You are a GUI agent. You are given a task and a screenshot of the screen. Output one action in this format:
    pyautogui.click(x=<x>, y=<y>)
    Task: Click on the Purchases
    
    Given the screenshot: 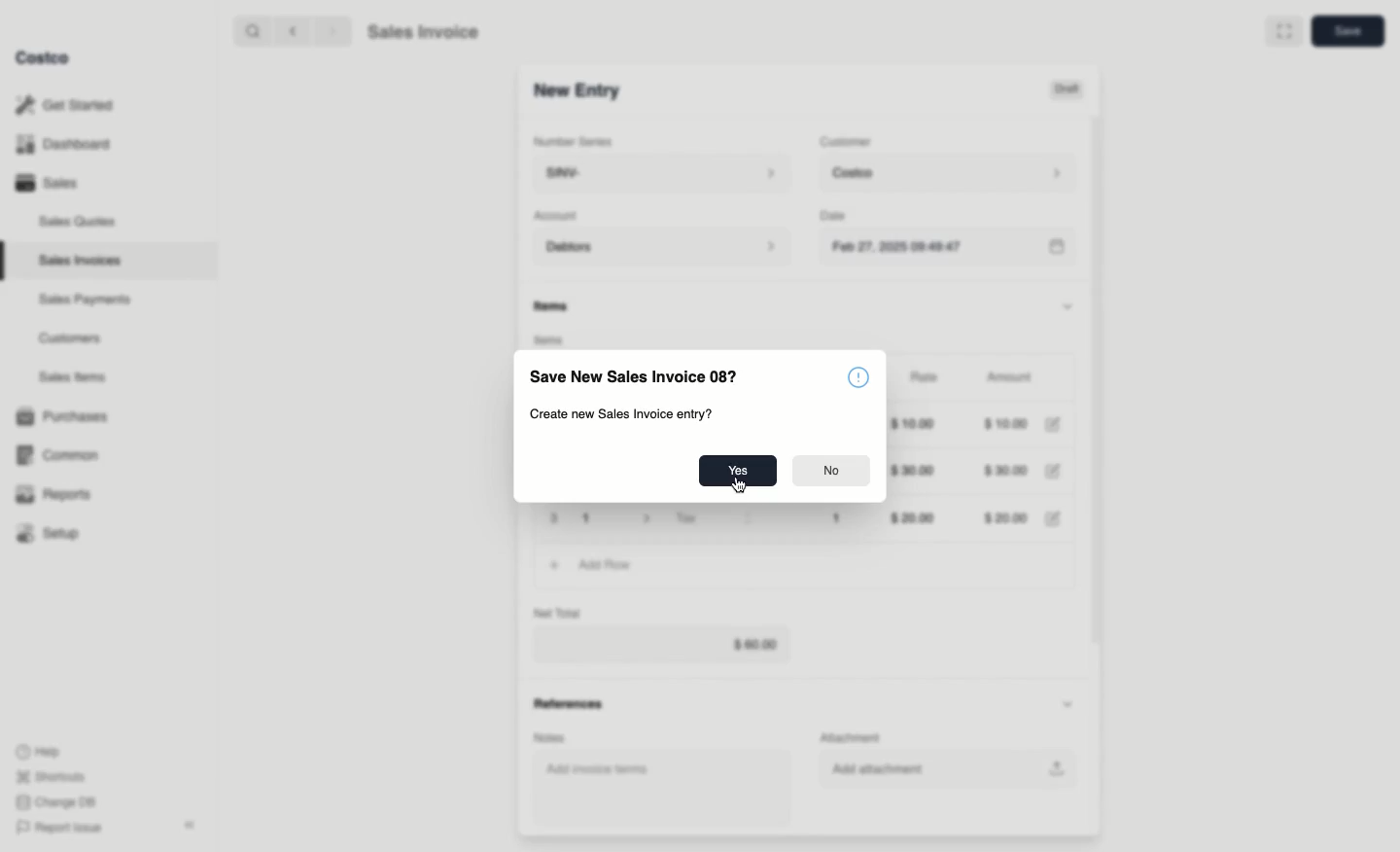 What is the action you would take?
    pyautogui.click(x=63, y=416)
    